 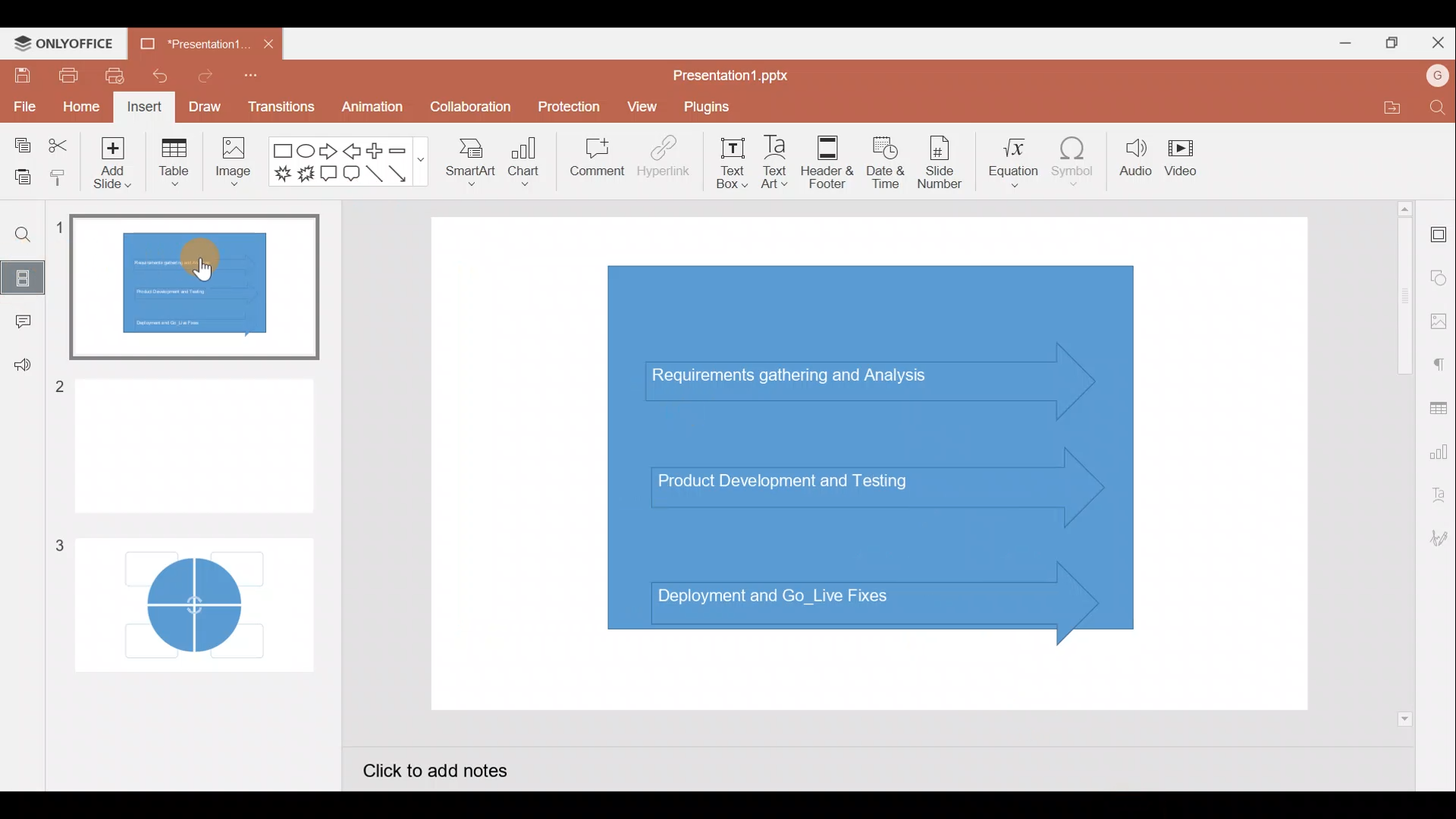 What do you see at coordinates (195, 288) in the screenshot?
I see `Slide 1` at bounding box center [195, 288].